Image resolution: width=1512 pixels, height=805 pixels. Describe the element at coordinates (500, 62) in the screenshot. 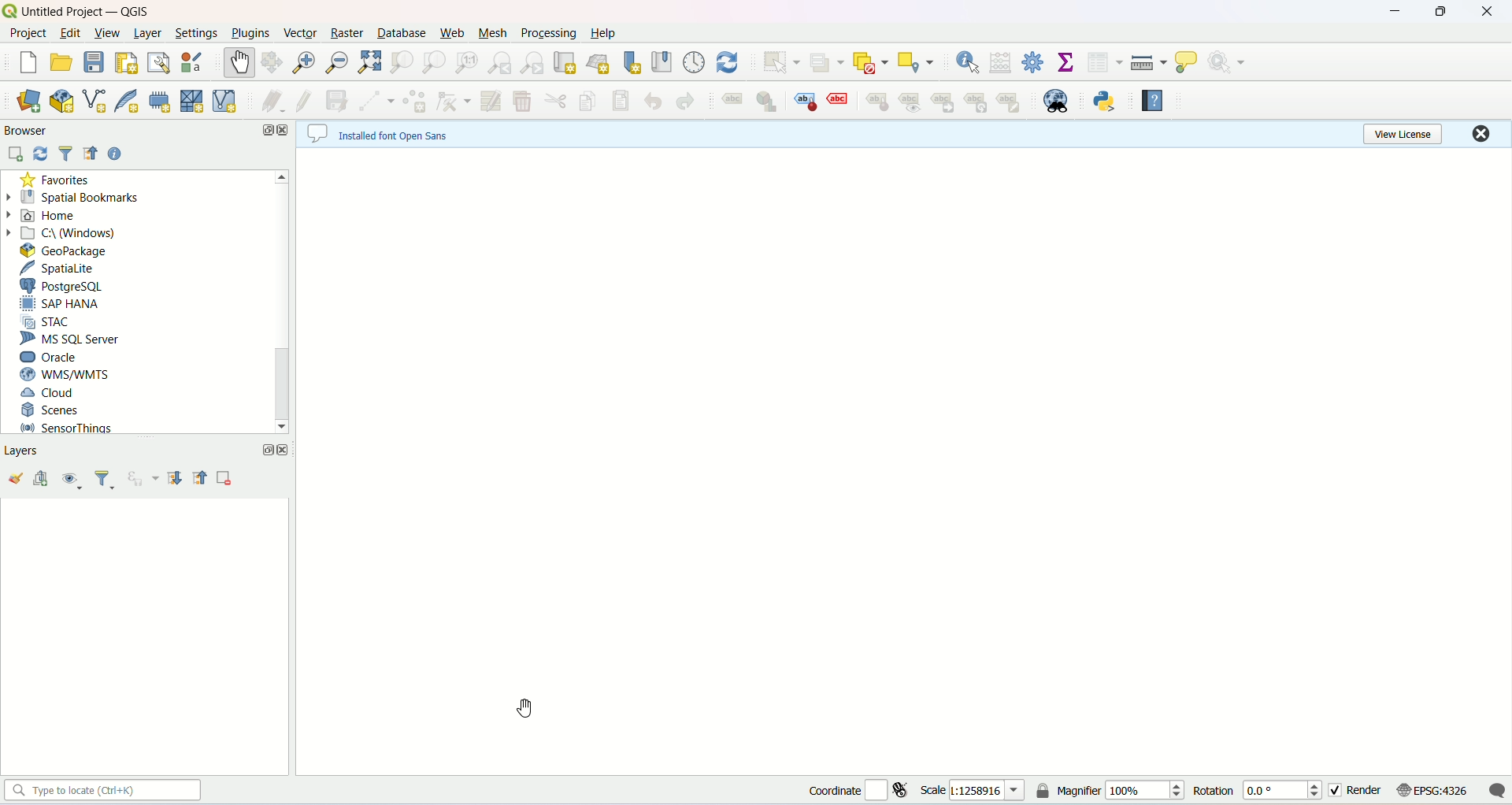

I see `zoom last` at that location.